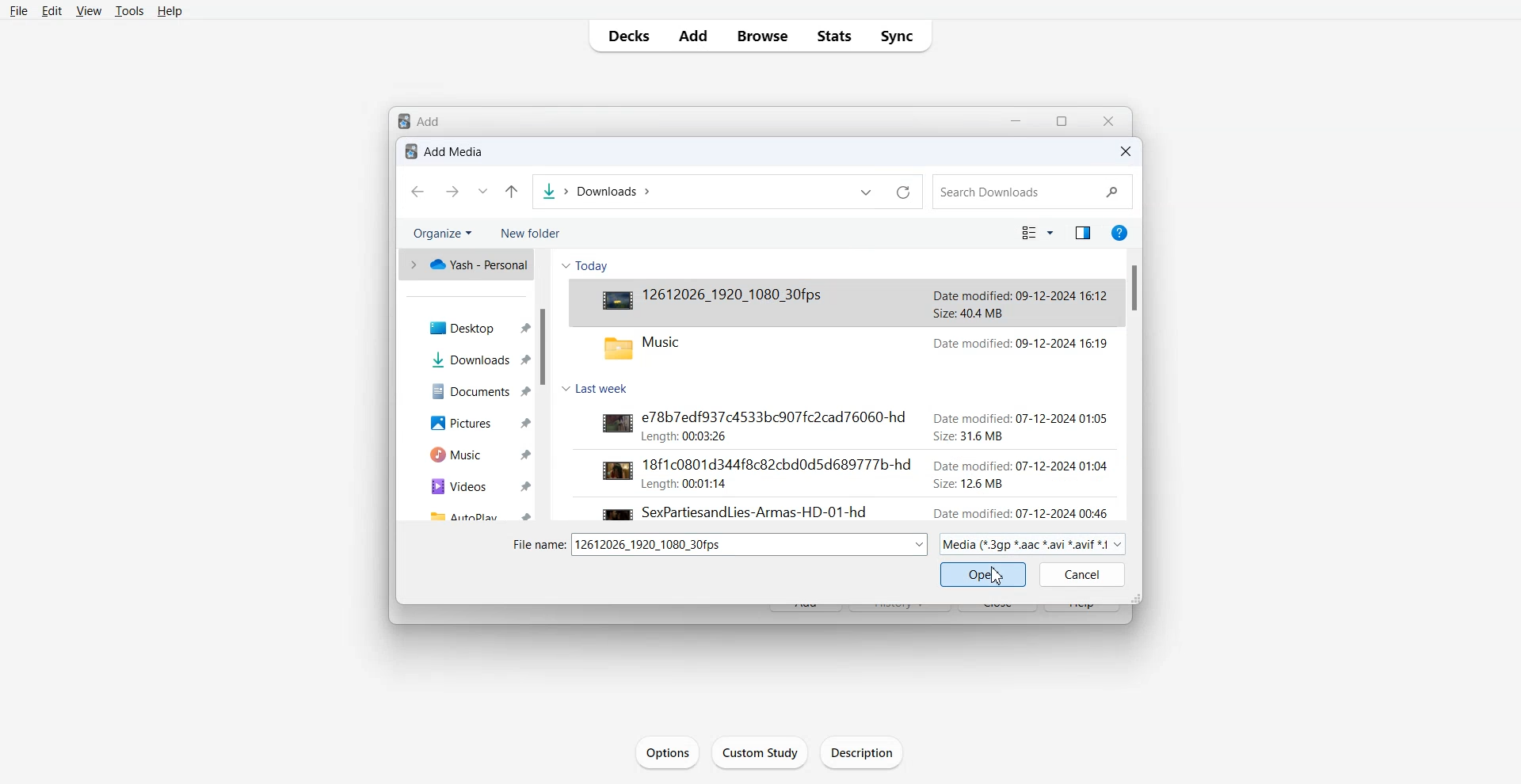 Image resolution: width=1521 pixels, height=784 pixels. What do you see at coordinates (1082, 574) in the screenshot?
I see `Cancel` at bounding box center [1082, 574].